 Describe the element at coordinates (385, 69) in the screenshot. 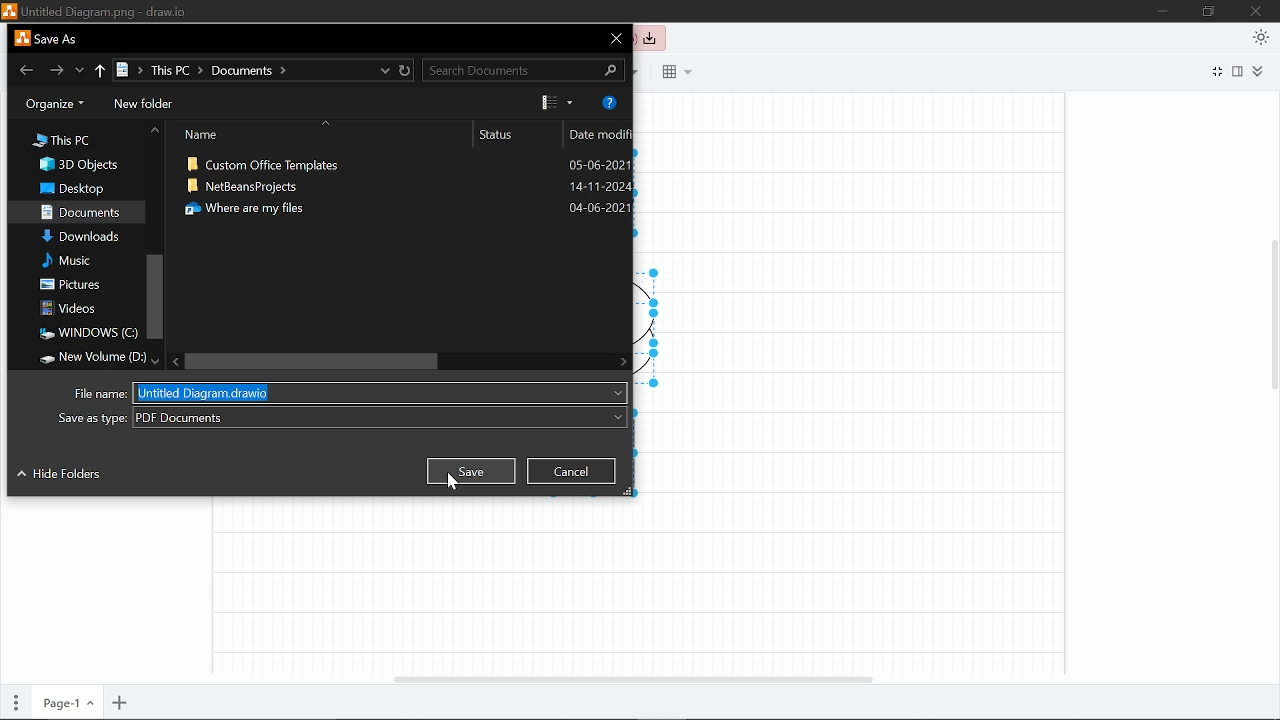

I see `Current location` at that location.